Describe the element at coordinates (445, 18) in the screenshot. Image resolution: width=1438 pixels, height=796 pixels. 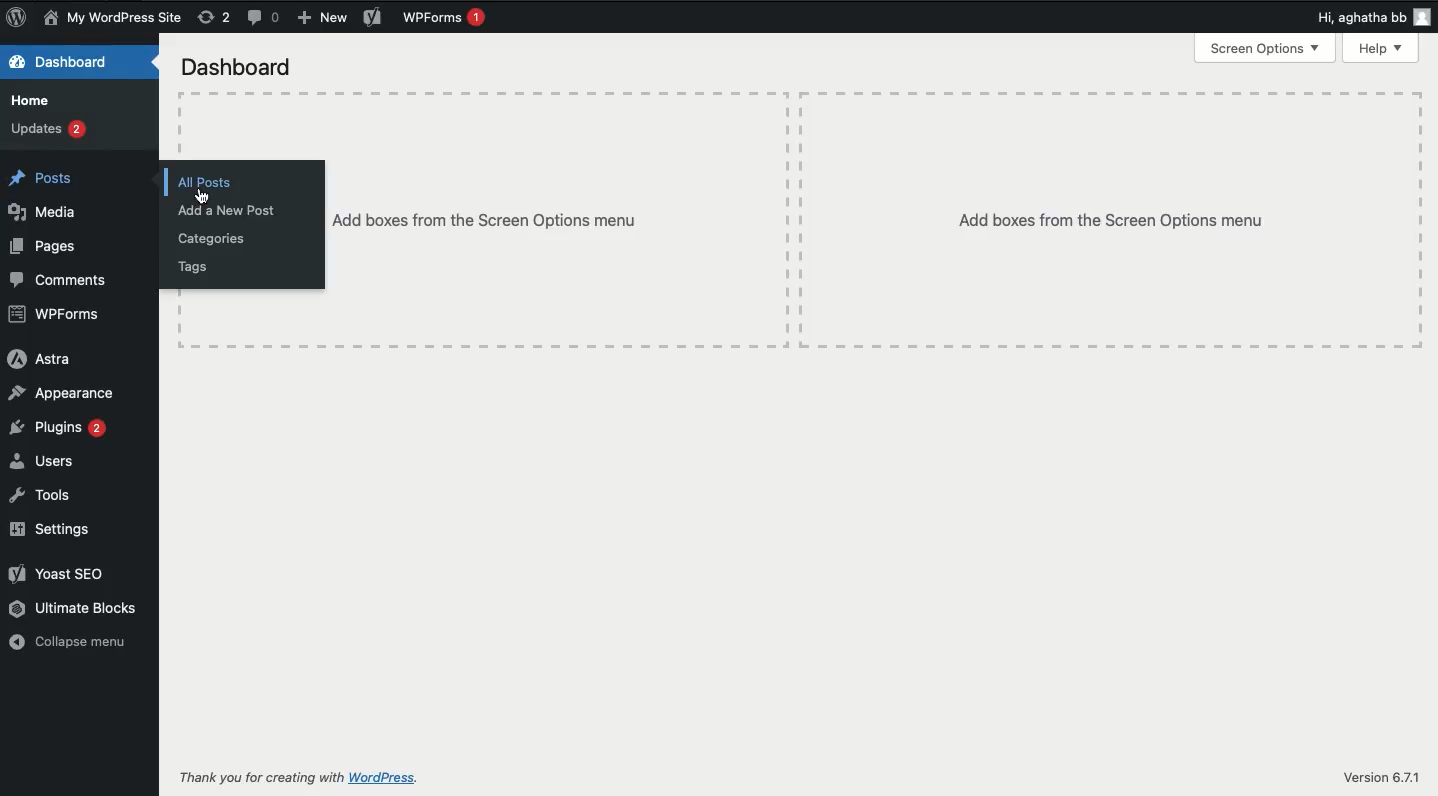
I see `WPForms` at that location.